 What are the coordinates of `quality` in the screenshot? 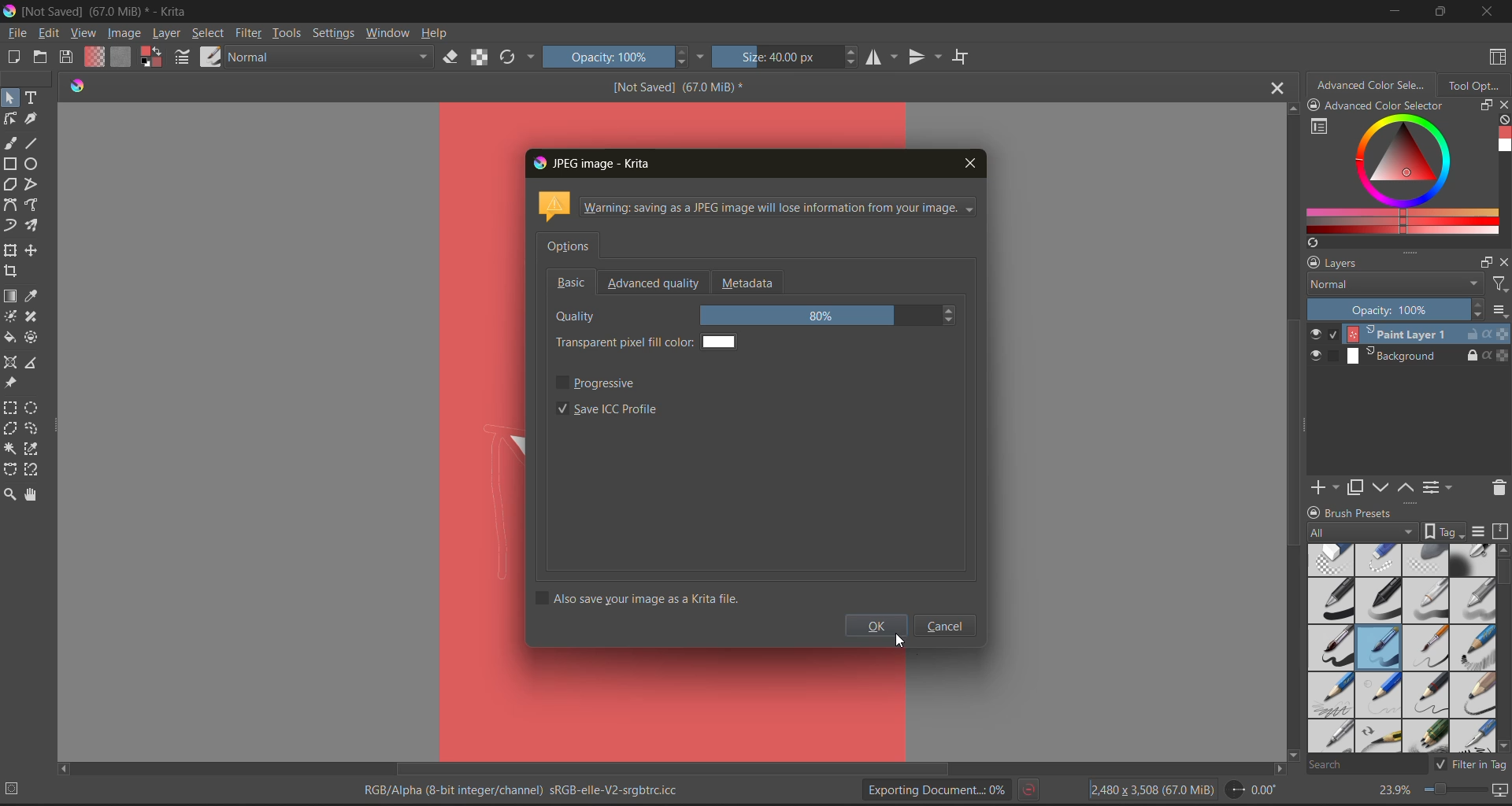 It's located at (753, 315).